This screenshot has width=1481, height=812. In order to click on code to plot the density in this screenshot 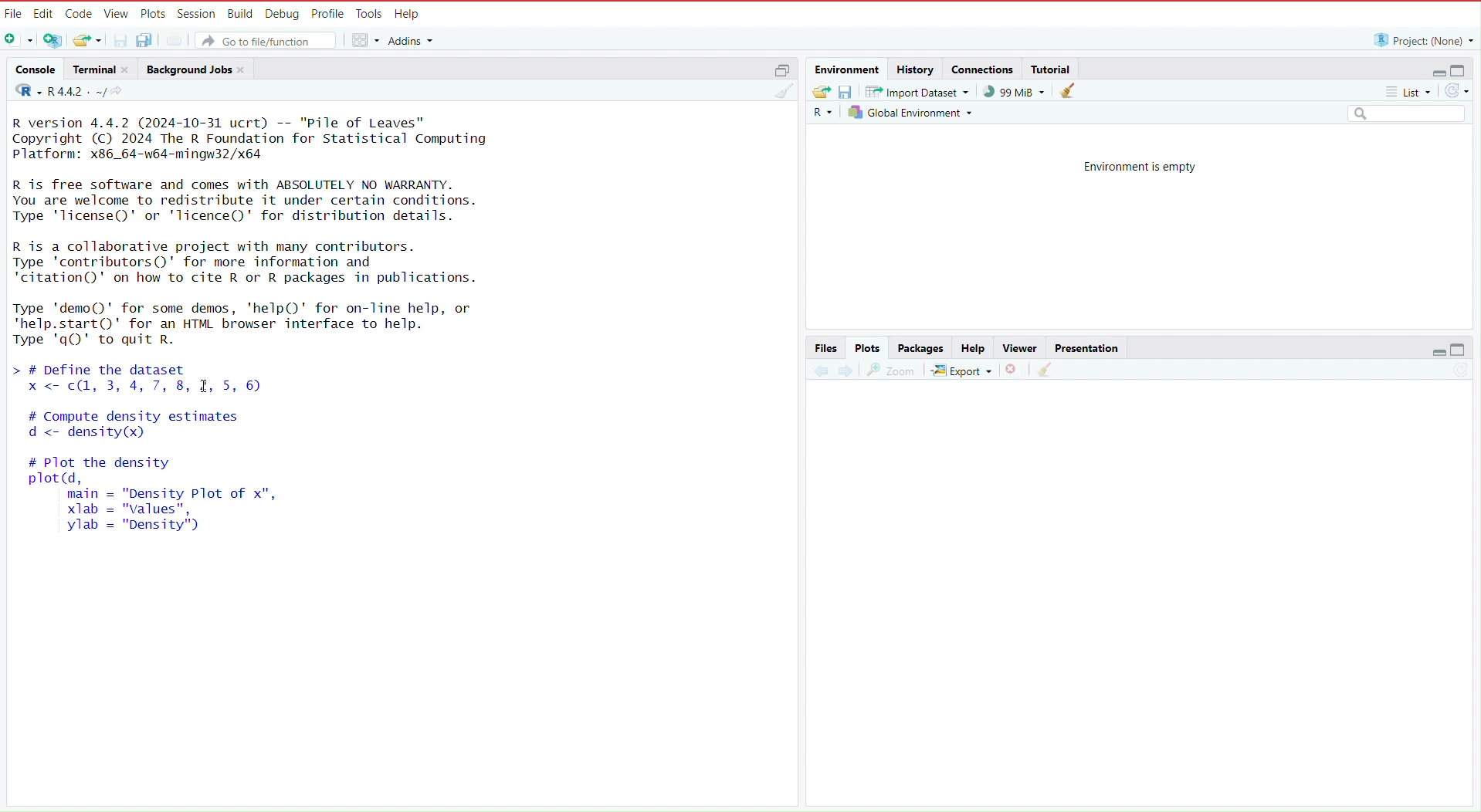, I will do `click(161, 502)`.